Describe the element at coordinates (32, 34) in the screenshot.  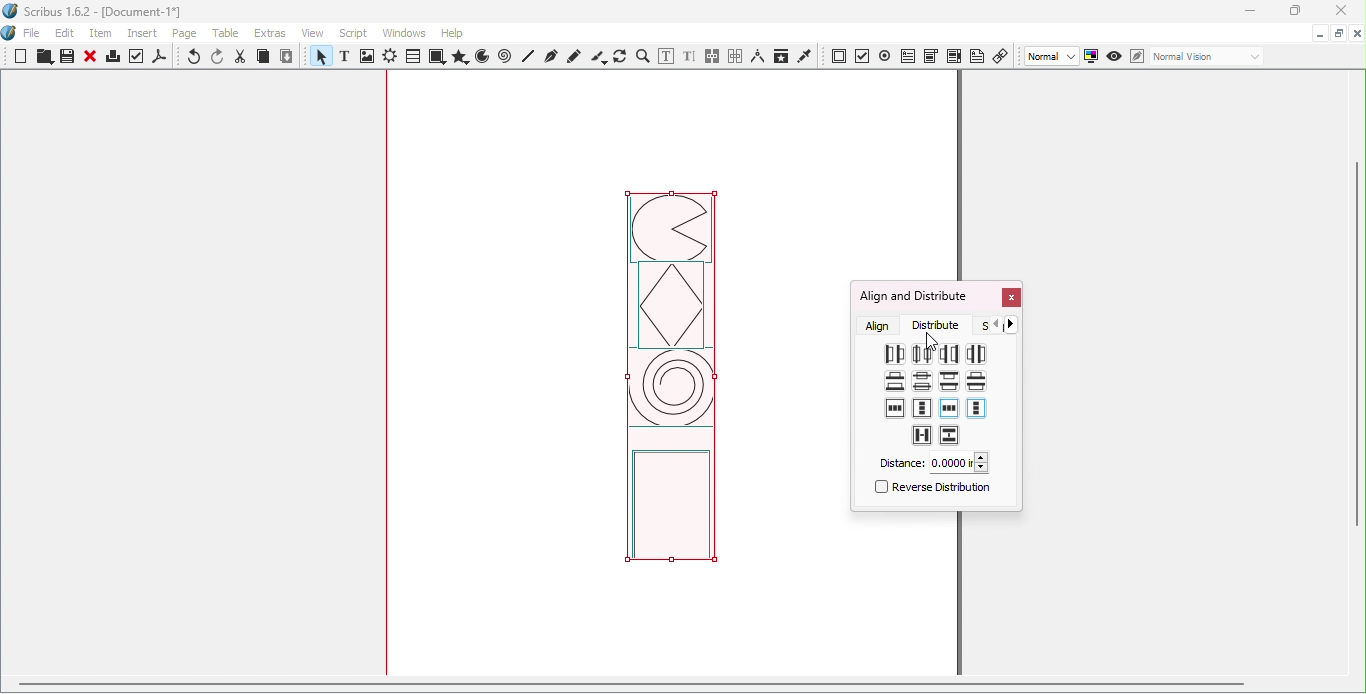
I see `File` at that location.